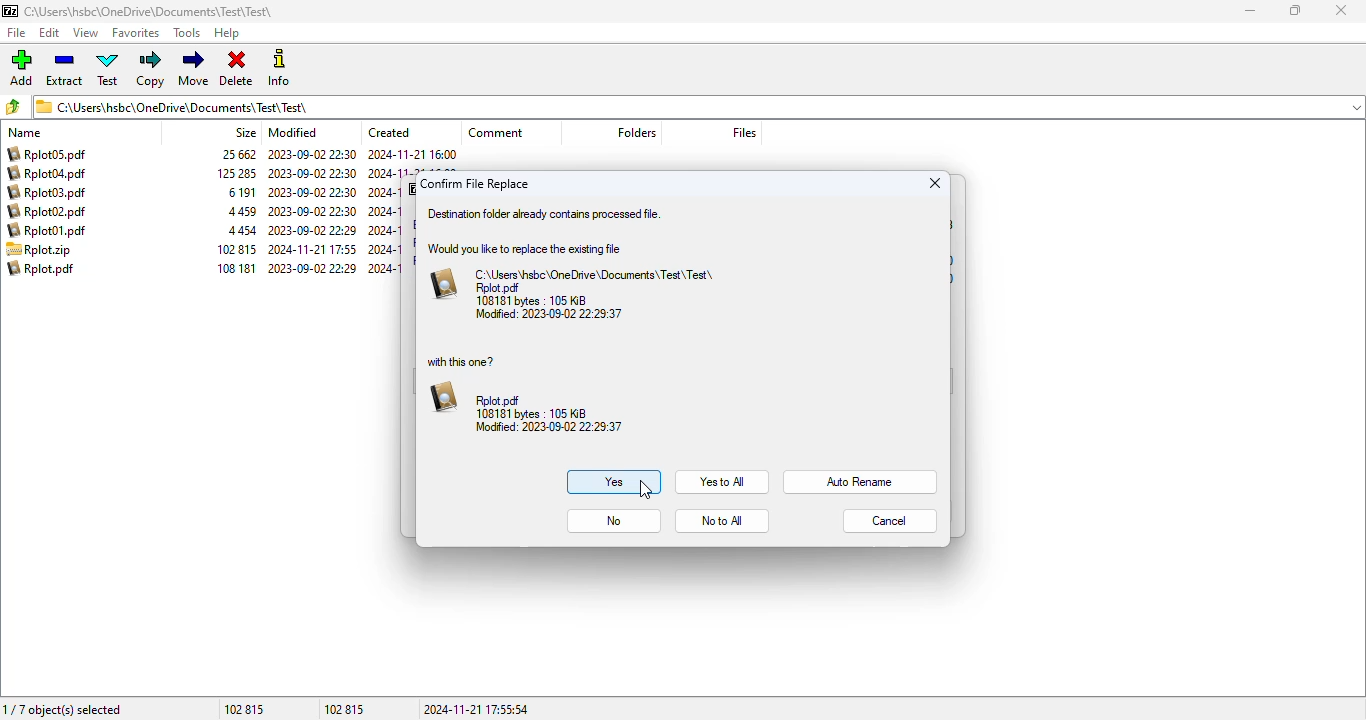 Image resolution: width=1366 pixels, height=720 pixels. I want to click on tools, so click(186, 33).